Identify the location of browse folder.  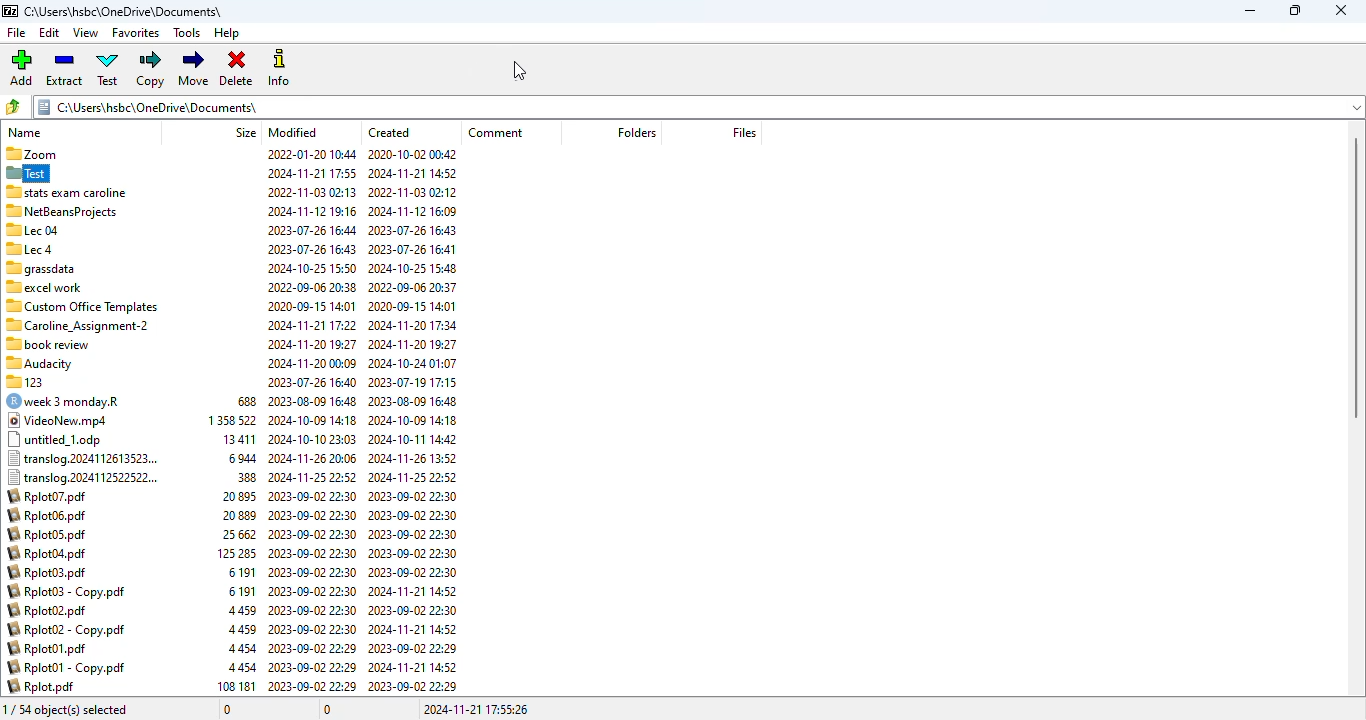
(14, 106).